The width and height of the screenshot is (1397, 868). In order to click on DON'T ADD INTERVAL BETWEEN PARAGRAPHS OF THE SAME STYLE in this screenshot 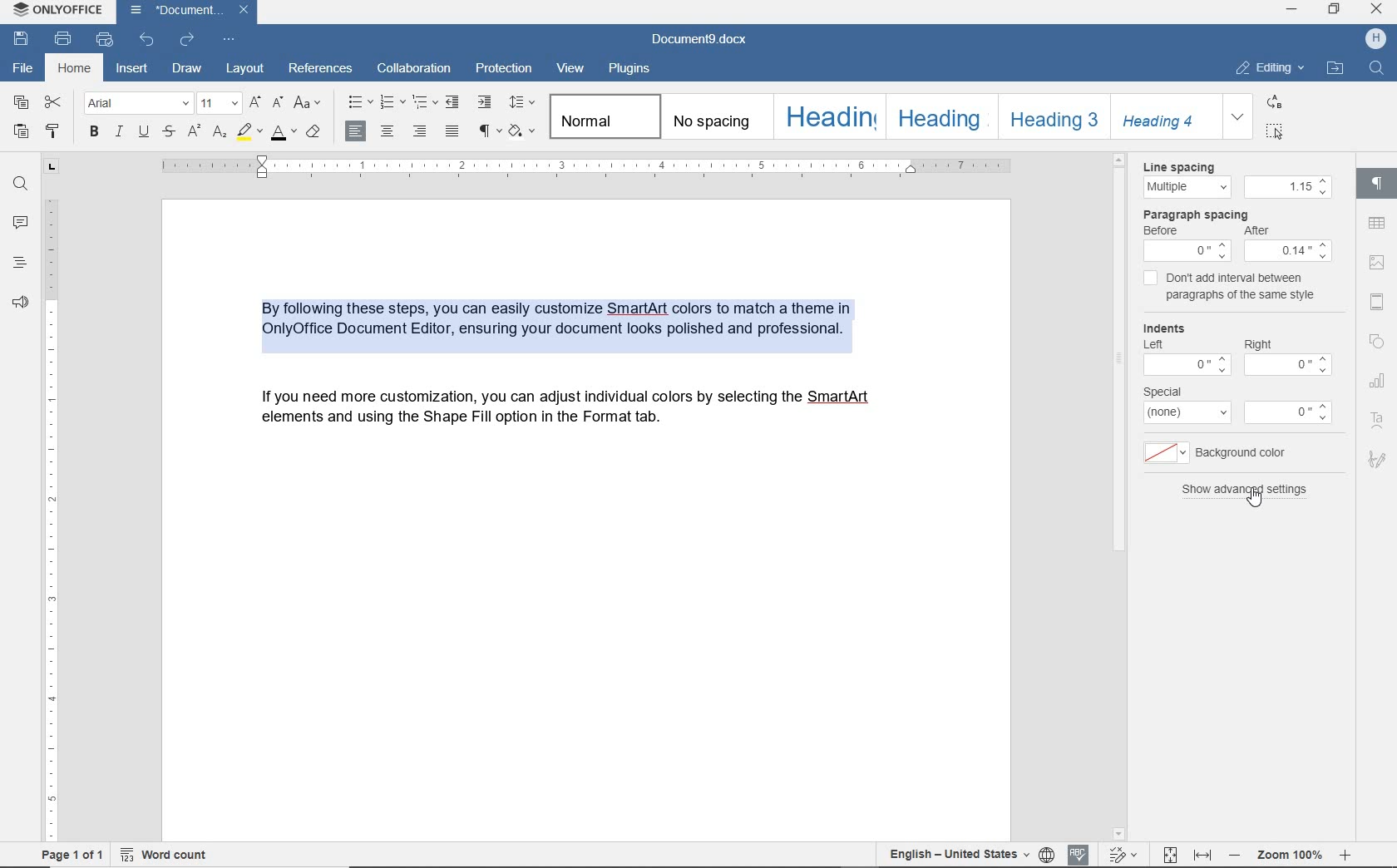, I will do `click(1232, 287)`.